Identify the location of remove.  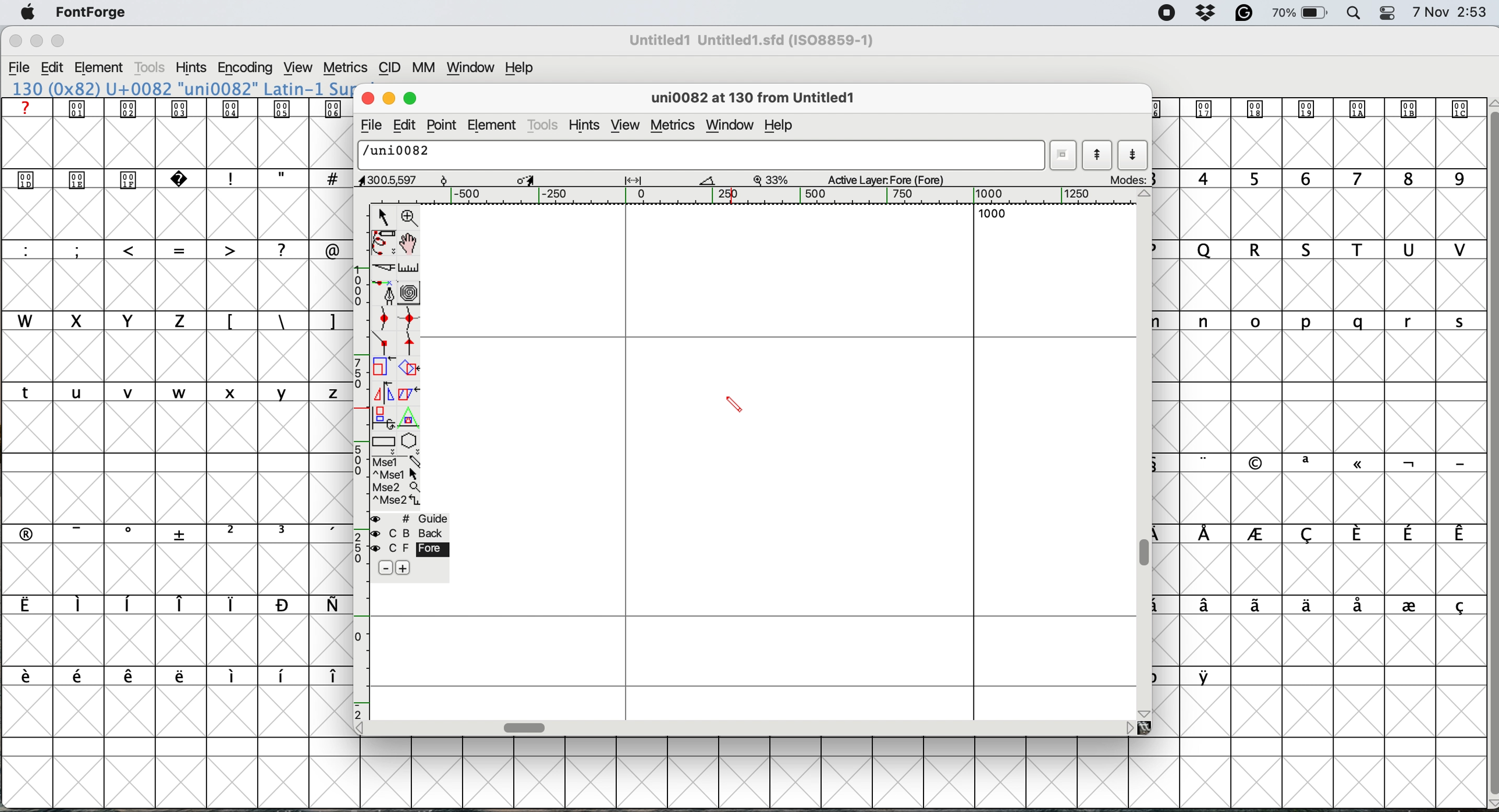
(382, 568).